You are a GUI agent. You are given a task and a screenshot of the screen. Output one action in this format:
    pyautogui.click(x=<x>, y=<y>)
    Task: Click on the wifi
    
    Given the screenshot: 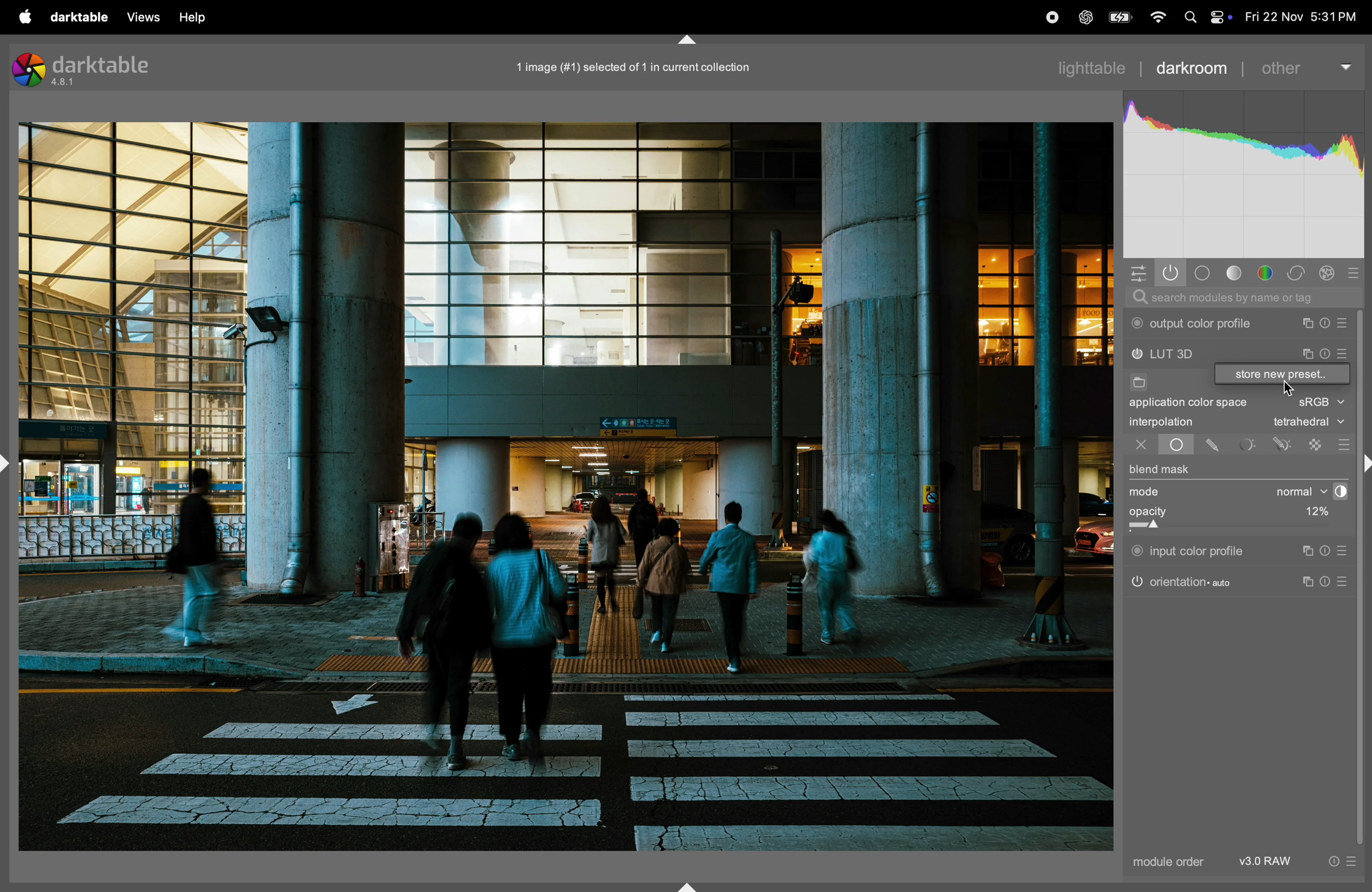 What is the action you would take?
    pyautogui.click(x=1156, y=18)
    